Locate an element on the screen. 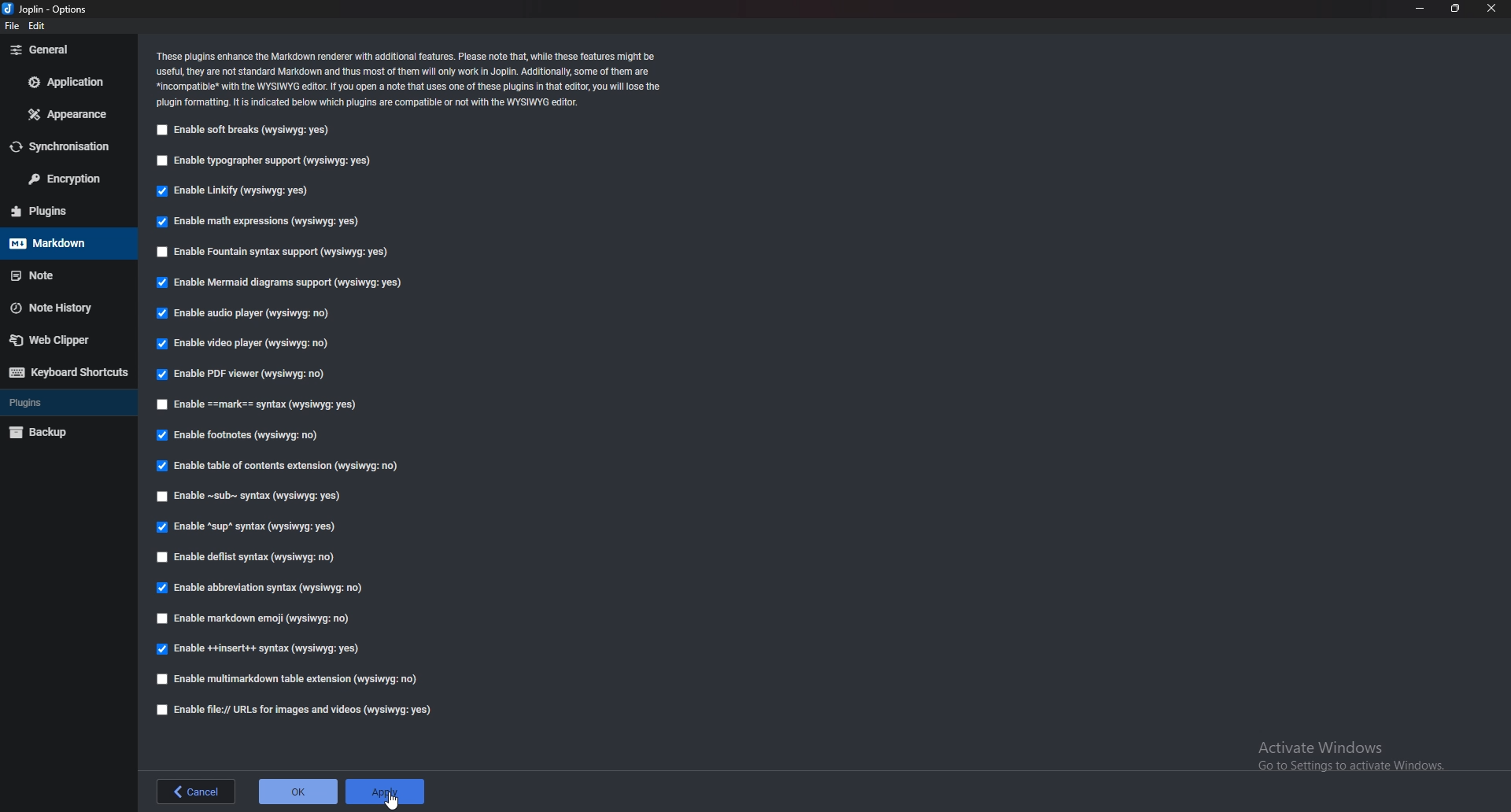  cursor is located at coordinates (394, 800).